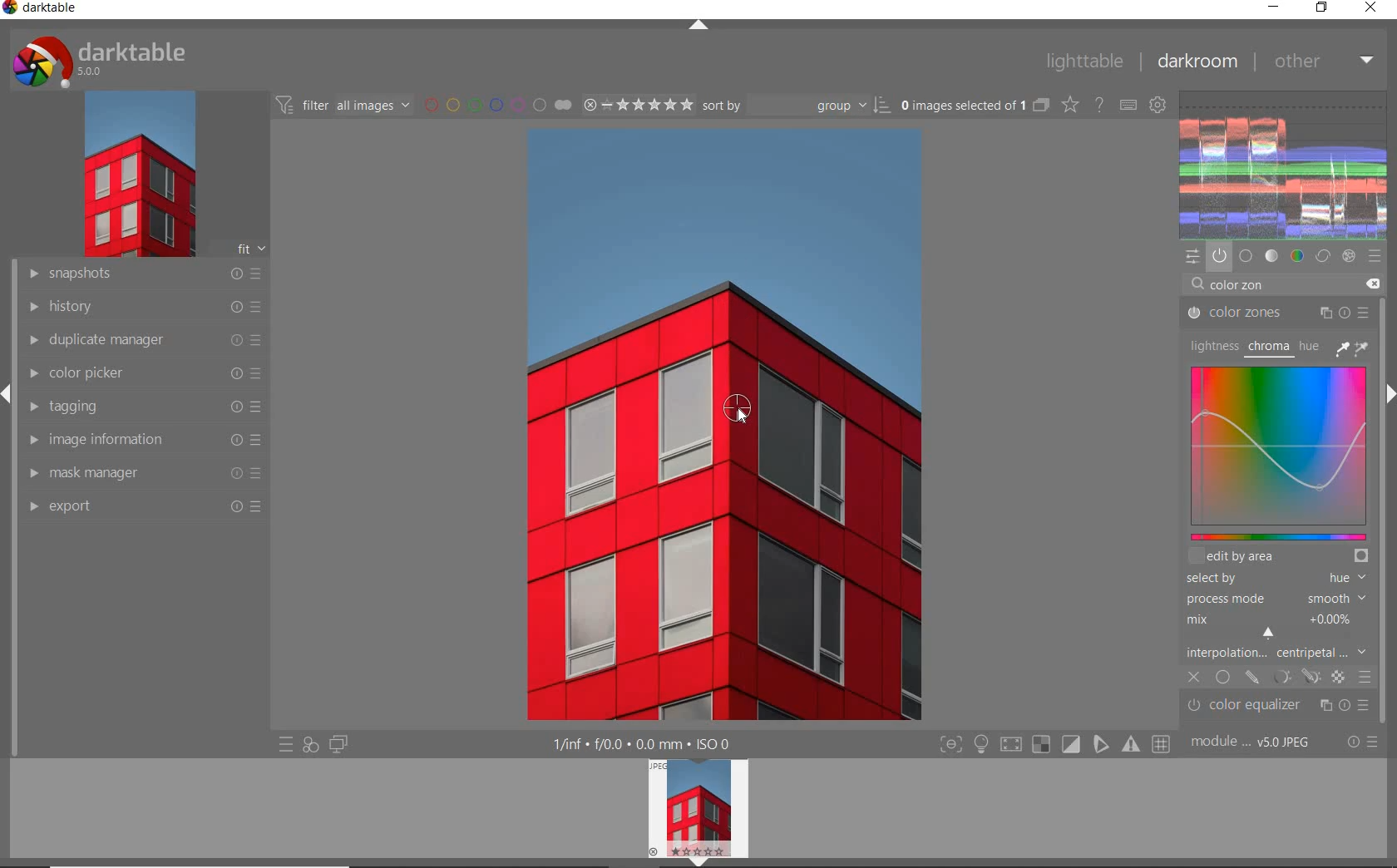  I want to click on focus, so click(947, 743).